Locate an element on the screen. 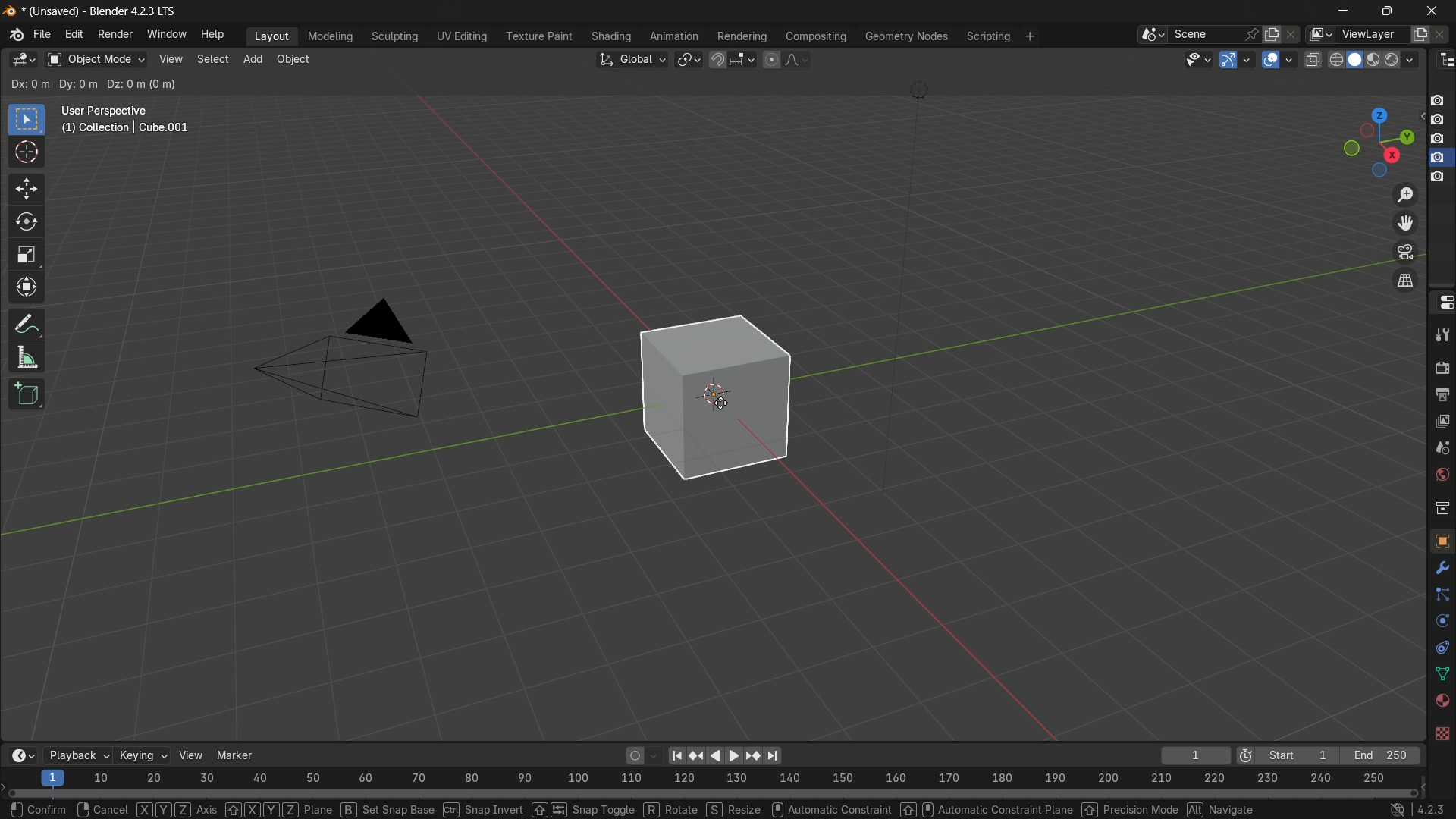 This screenshot has height=819, width=1456. editor type is located at coordinates (1444, 61).